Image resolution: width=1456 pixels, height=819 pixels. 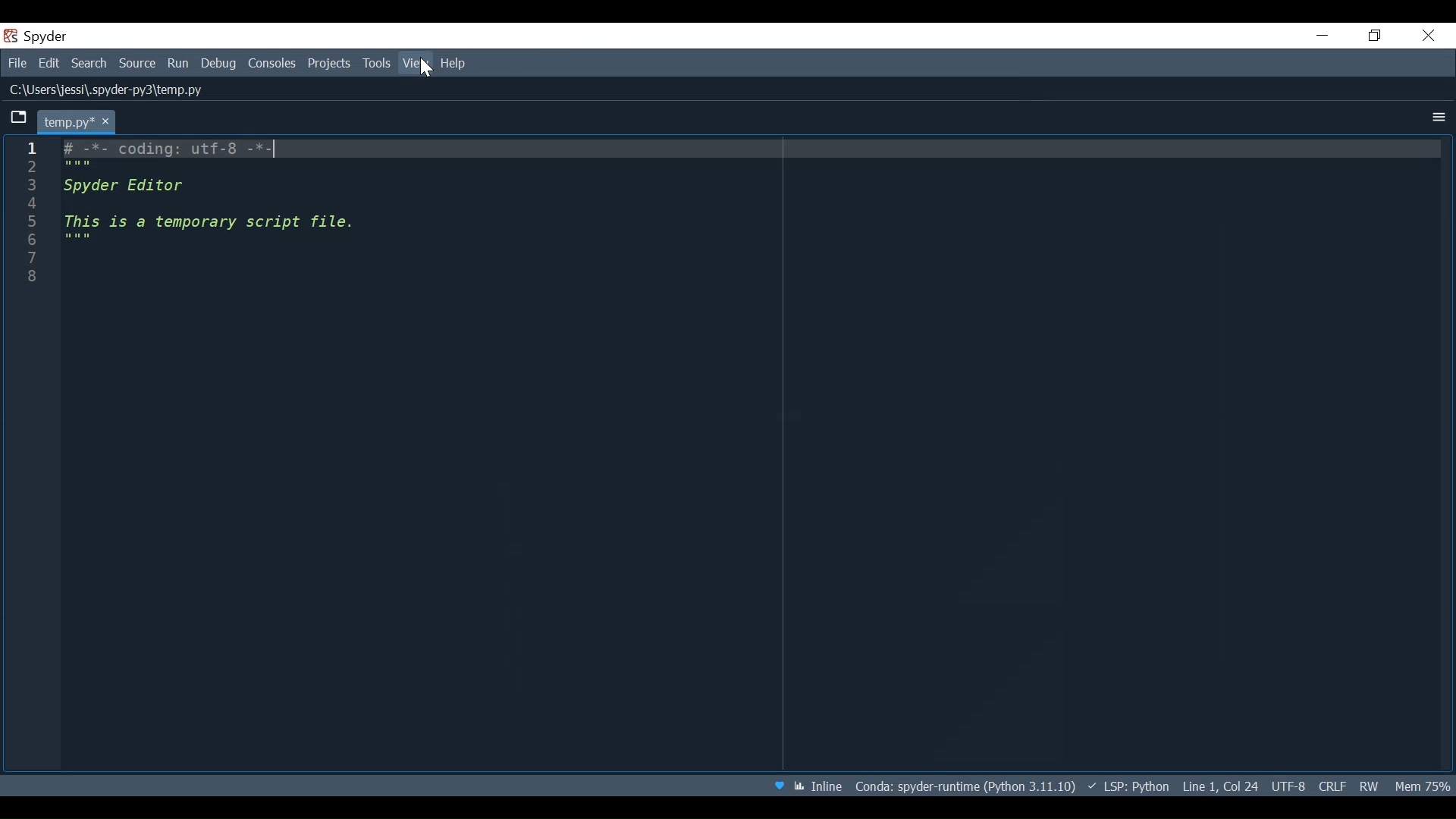 I want to click on Run, so click(x=180, y=63).